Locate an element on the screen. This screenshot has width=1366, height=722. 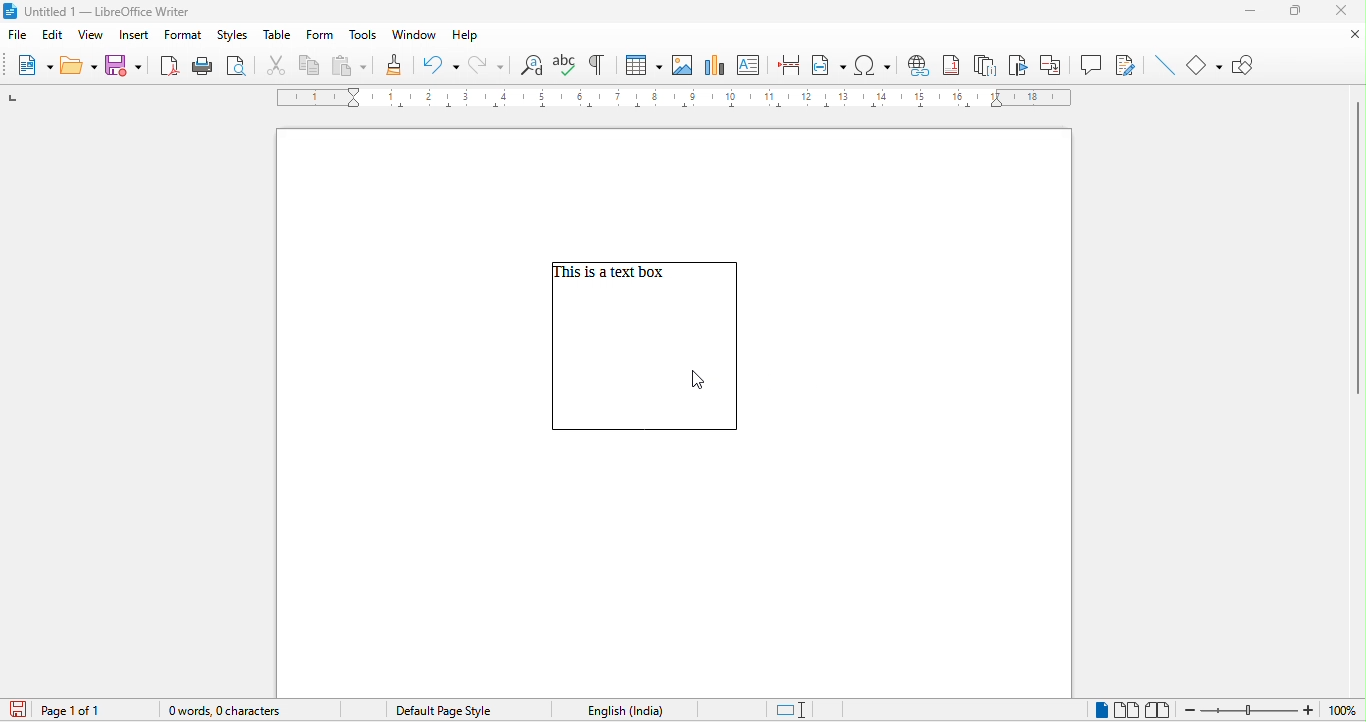
book view is located at coordinates (1158, 708).